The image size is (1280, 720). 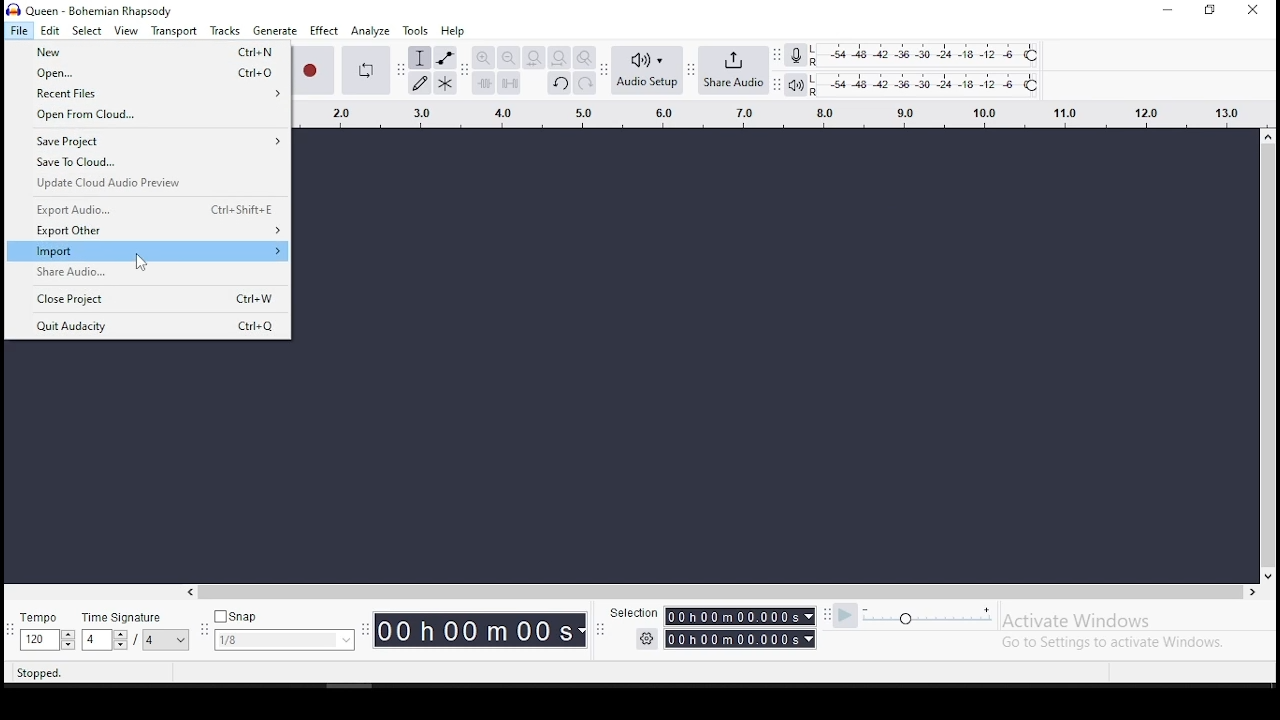 I want to click on icon, so click(x=92, y=9).